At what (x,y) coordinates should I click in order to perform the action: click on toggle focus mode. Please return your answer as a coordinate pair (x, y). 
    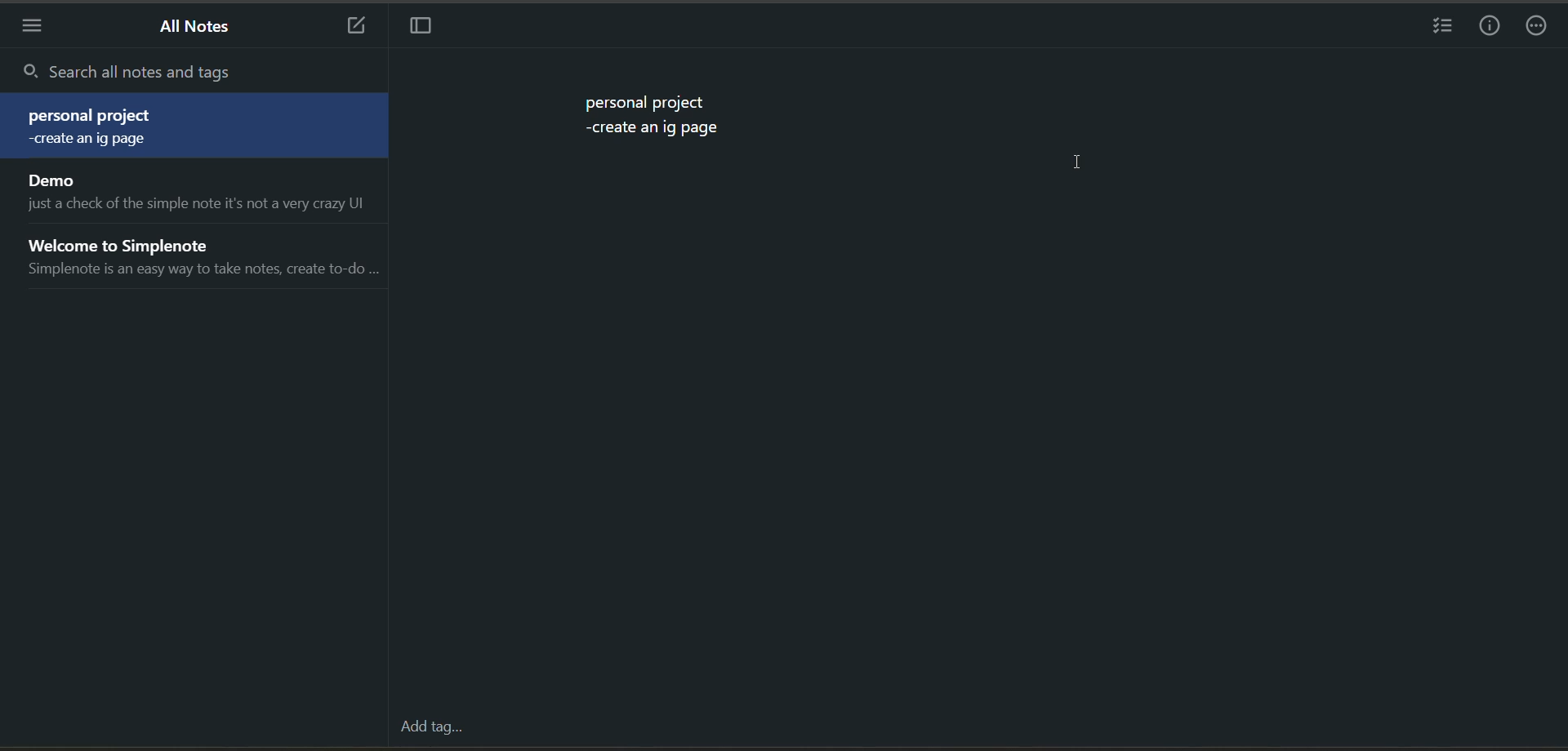
    Looking at the image, I should click on (426, 28).